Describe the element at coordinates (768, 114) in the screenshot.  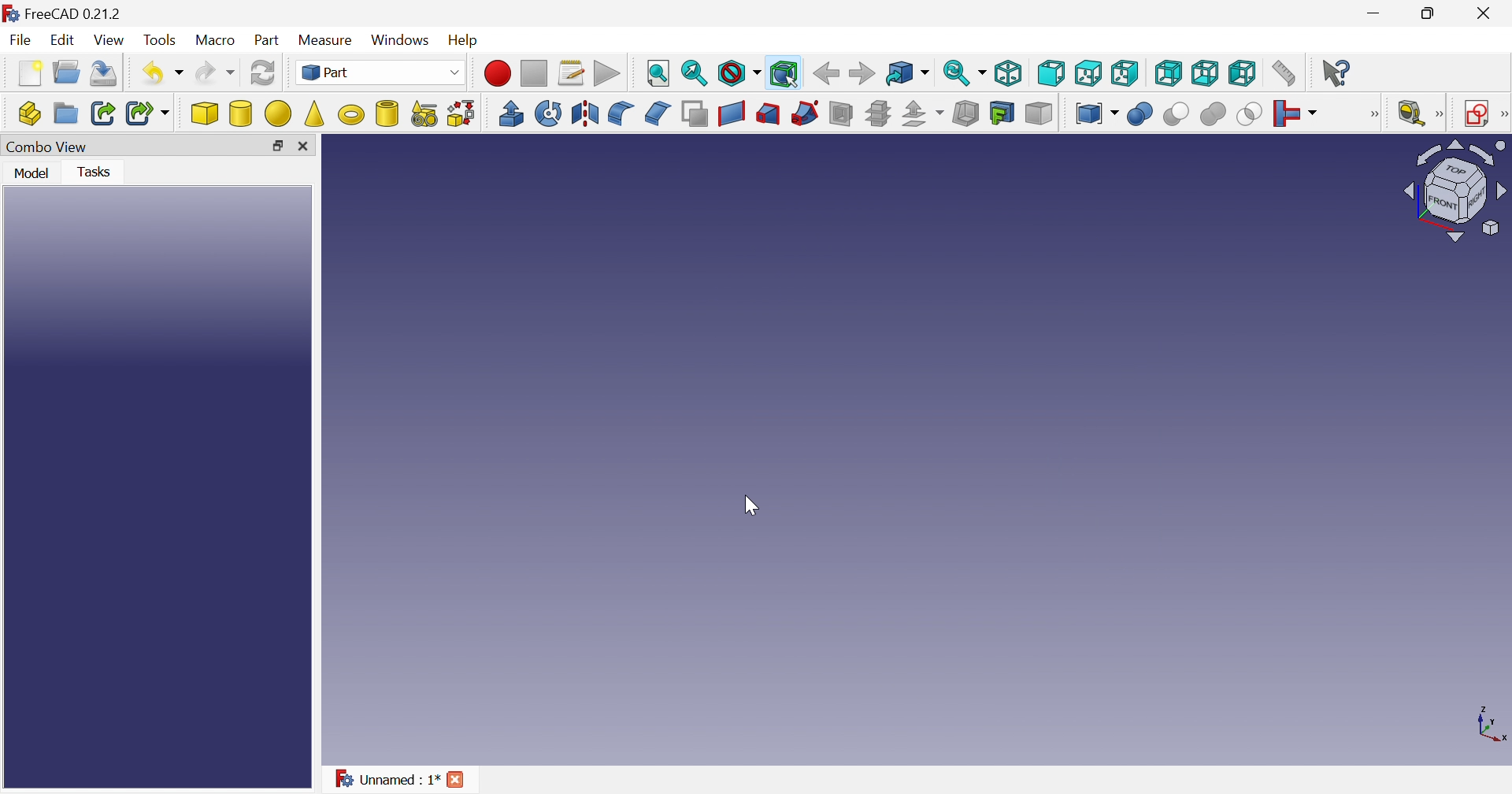
I see `Loft...` at that location.